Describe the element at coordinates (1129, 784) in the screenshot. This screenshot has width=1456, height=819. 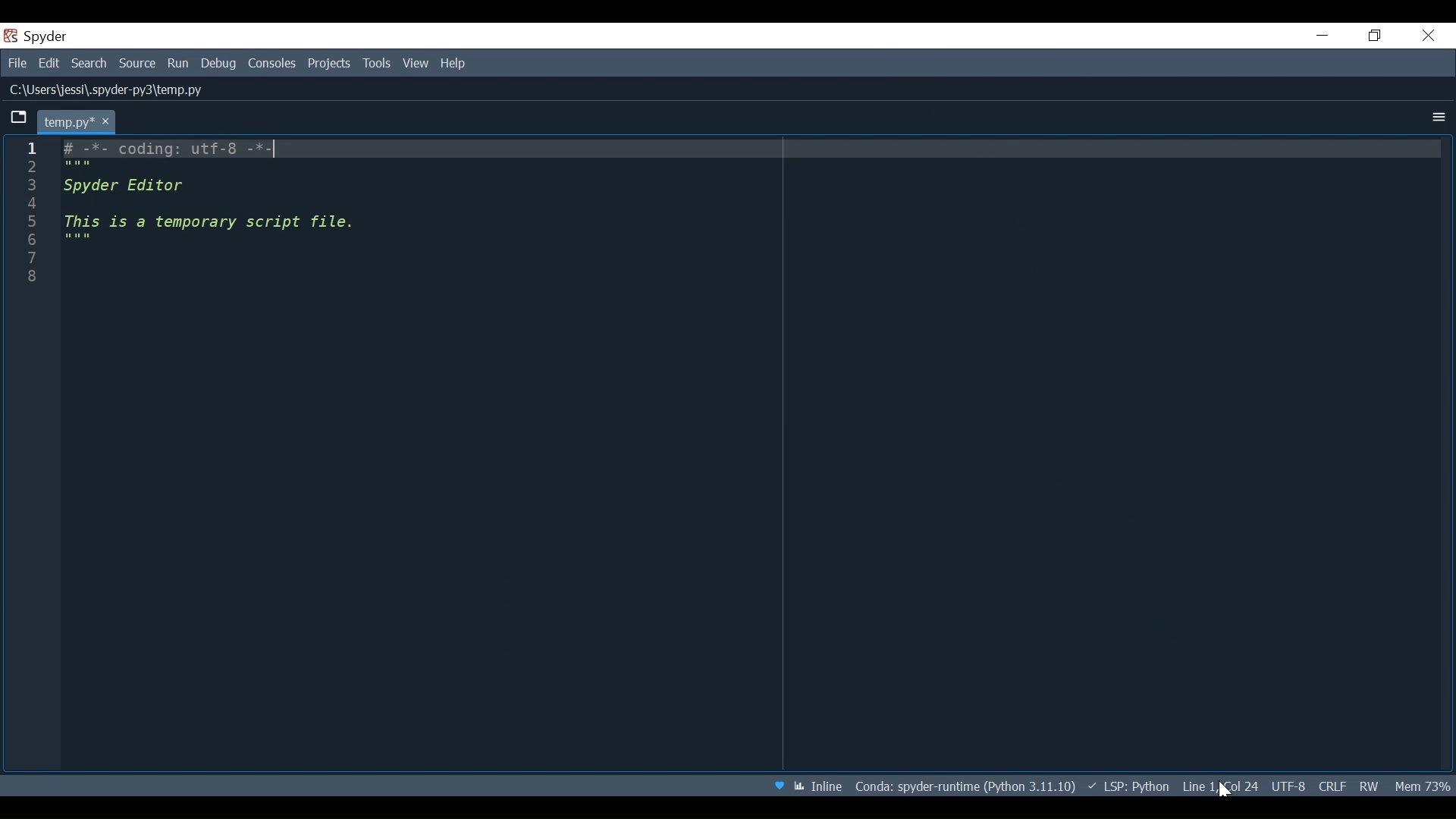
I see `language` at that location.